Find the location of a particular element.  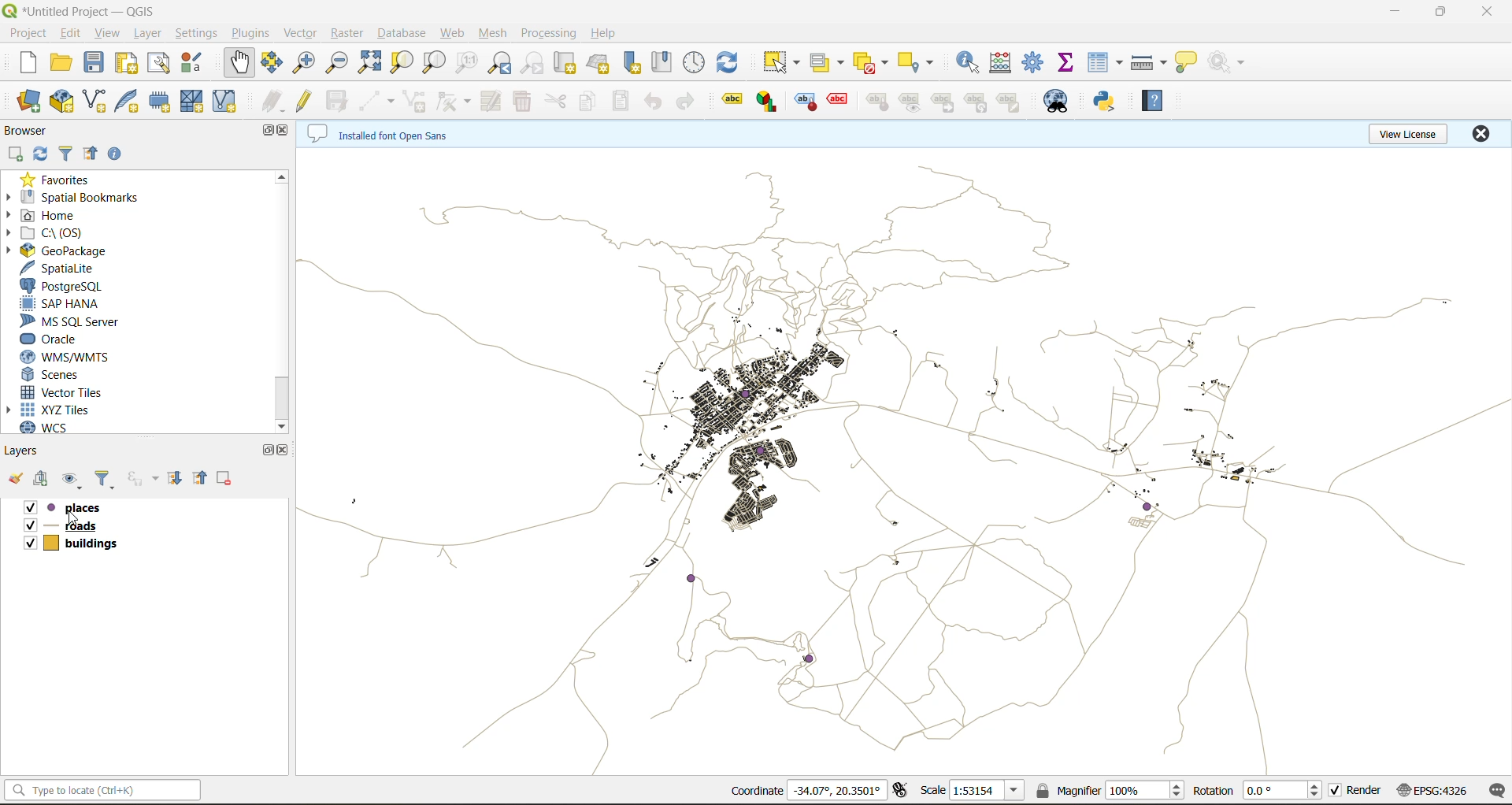

show layout is located at coordinates (160, 63).